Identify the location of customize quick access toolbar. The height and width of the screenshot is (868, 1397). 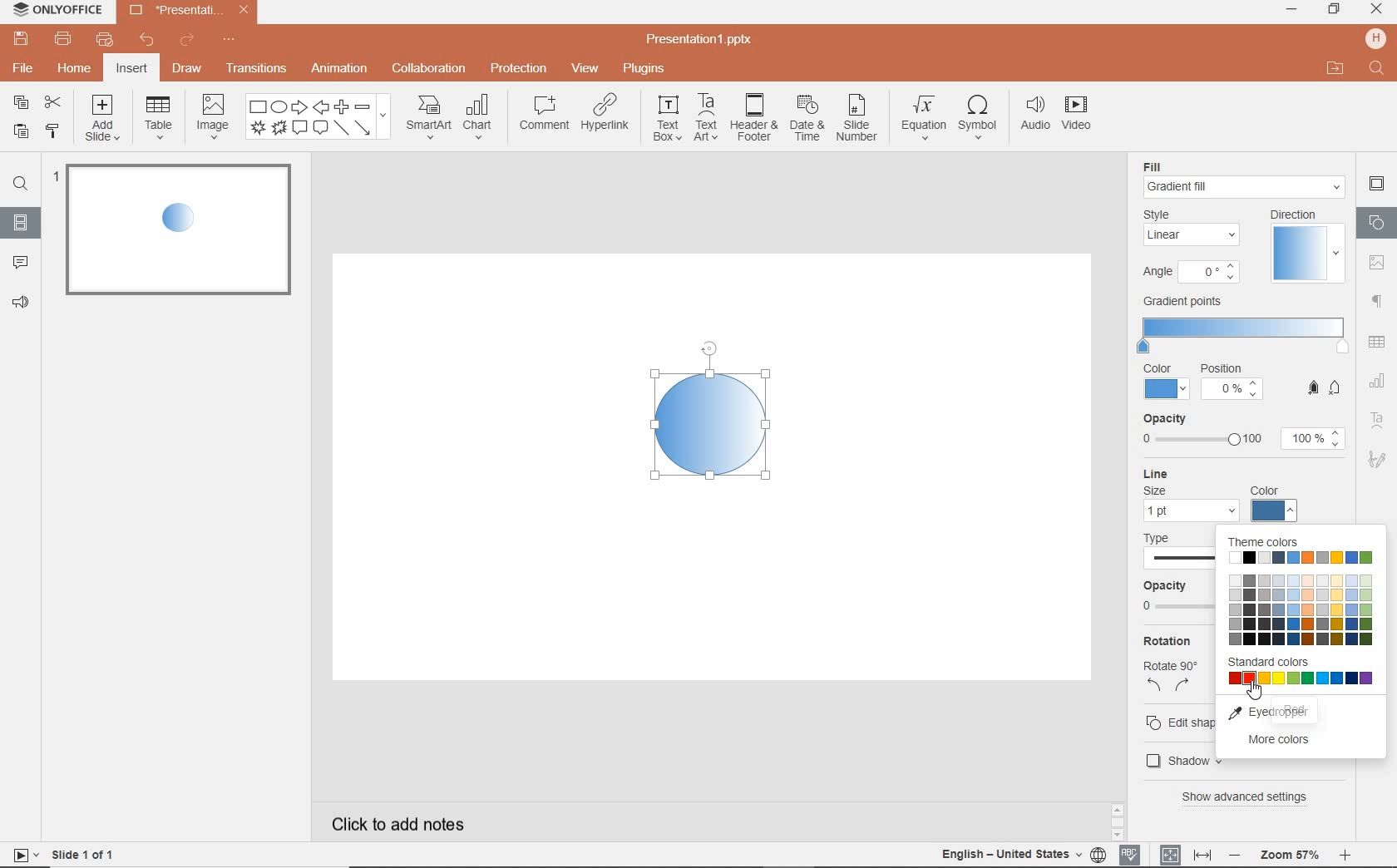
(230, 37).